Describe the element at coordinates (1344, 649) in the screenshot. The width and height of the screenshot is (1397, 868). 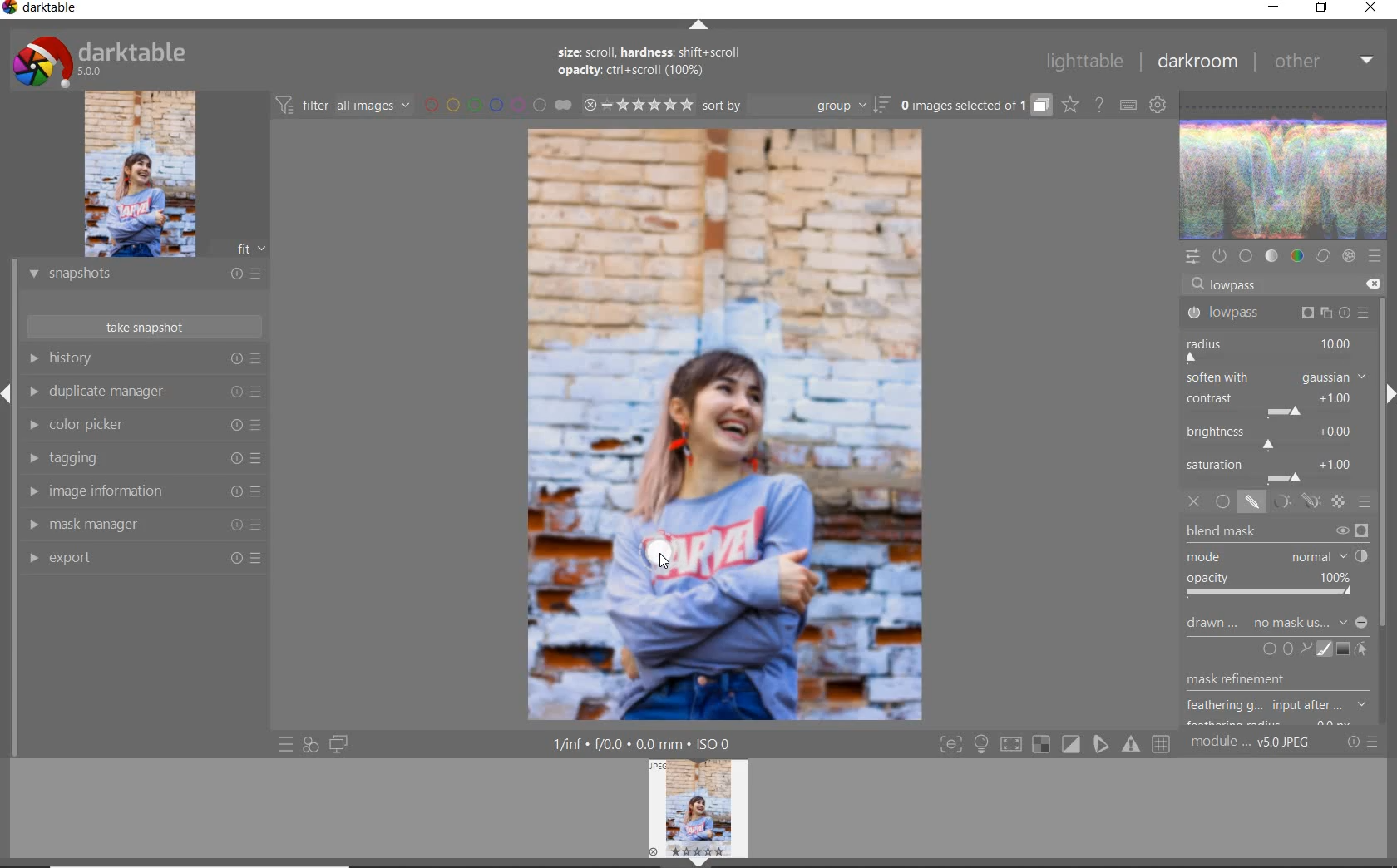
I see `add gradient` at that location.